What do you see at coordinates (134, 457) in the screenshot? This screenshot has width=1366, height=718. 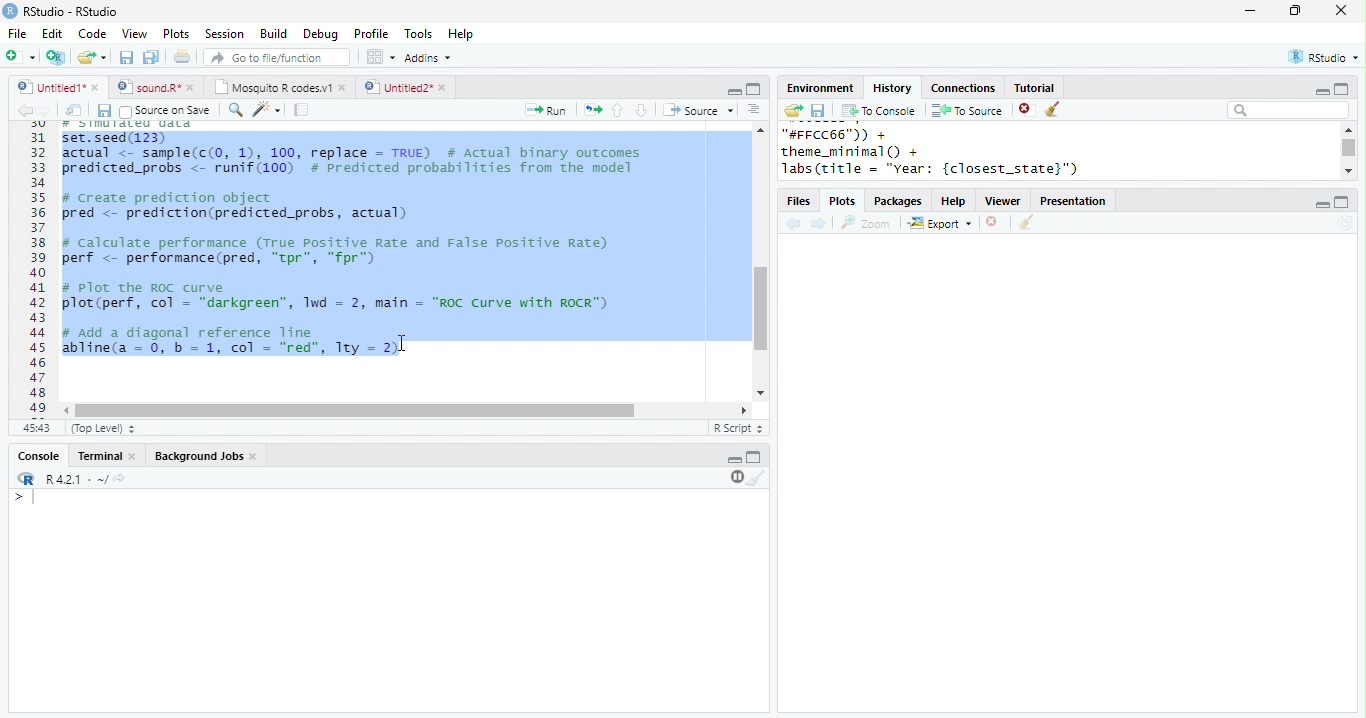 I see `close` at bounding box center [134, 457].